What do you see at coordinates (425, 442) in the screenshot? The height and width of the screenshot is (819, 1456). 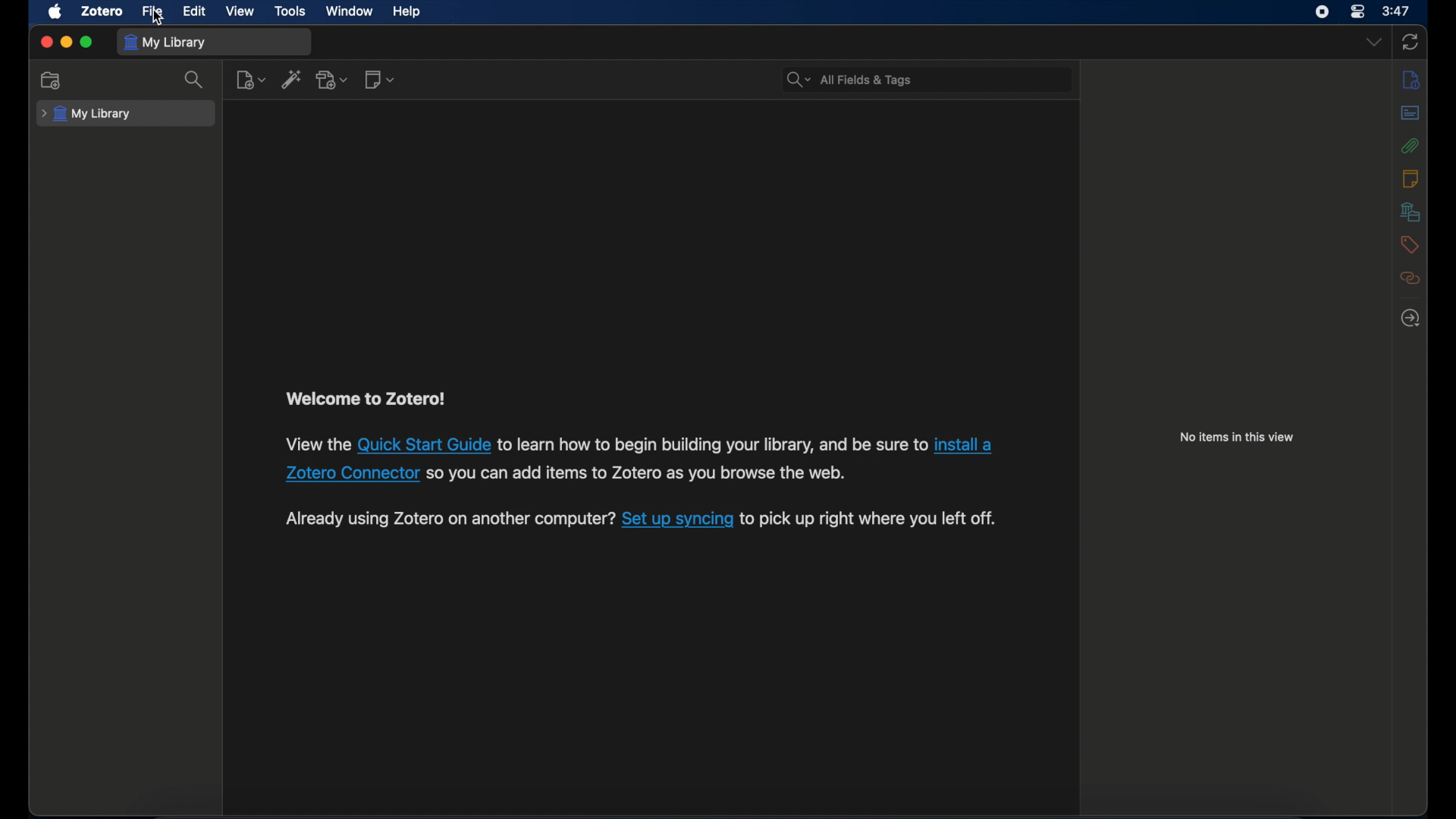 I see `hyperlink` at bounding box center [425, 442].